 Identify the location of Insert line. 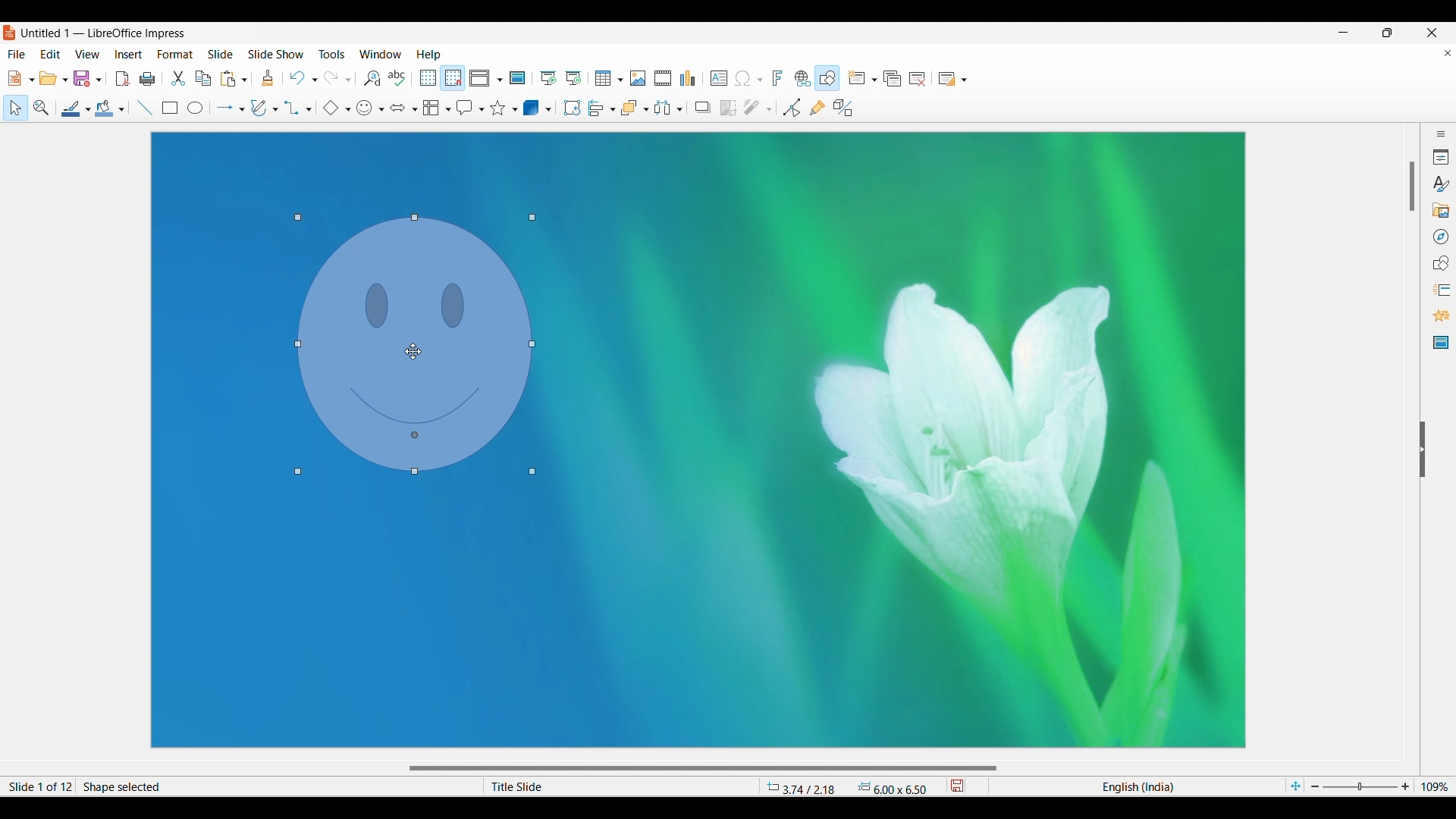
(146, 108).